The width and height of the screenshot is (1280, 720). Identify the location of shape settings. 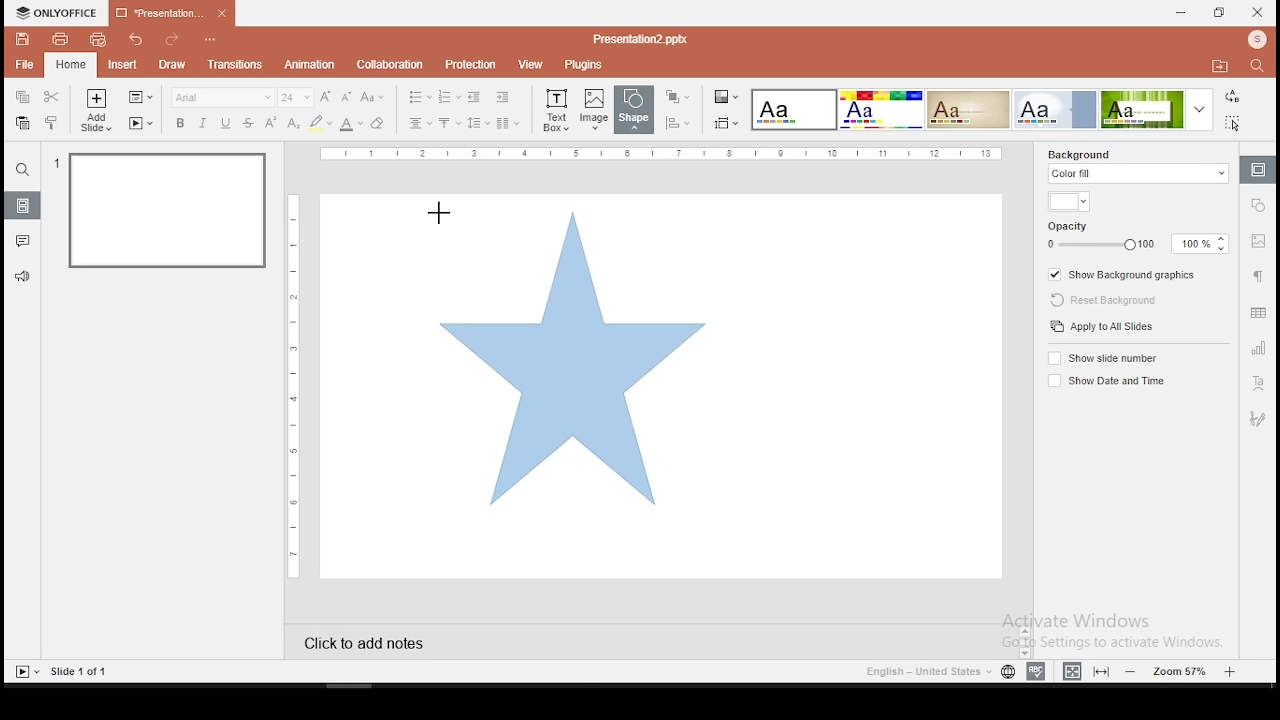
(1259, 204).